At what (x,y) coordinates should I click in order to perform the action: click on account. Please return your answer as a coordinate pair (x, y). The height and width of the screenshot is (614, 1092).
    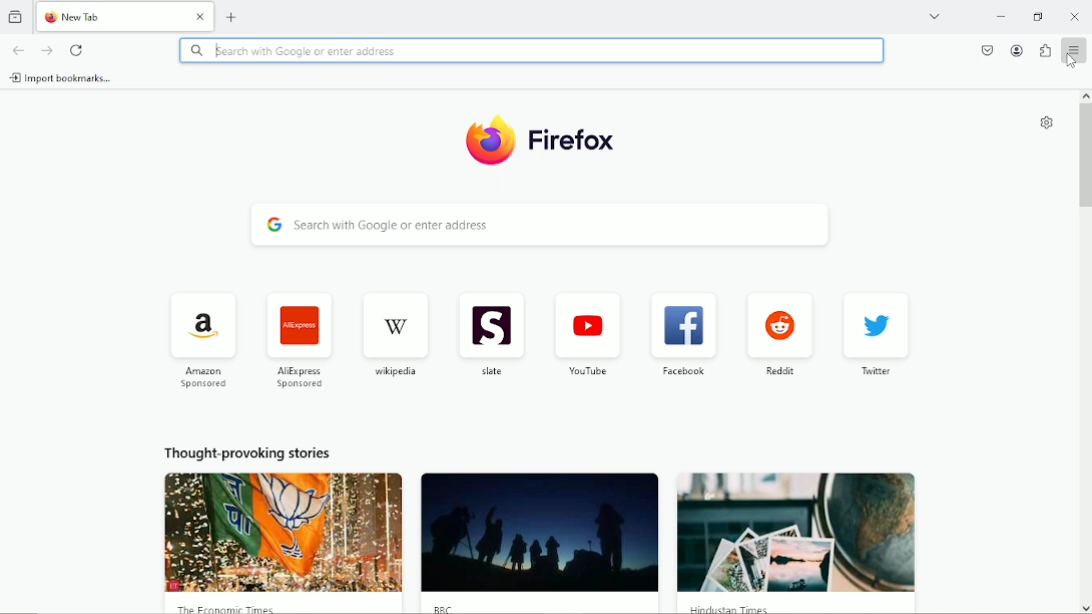
    Looking at the image, I should click on (1017, 50).